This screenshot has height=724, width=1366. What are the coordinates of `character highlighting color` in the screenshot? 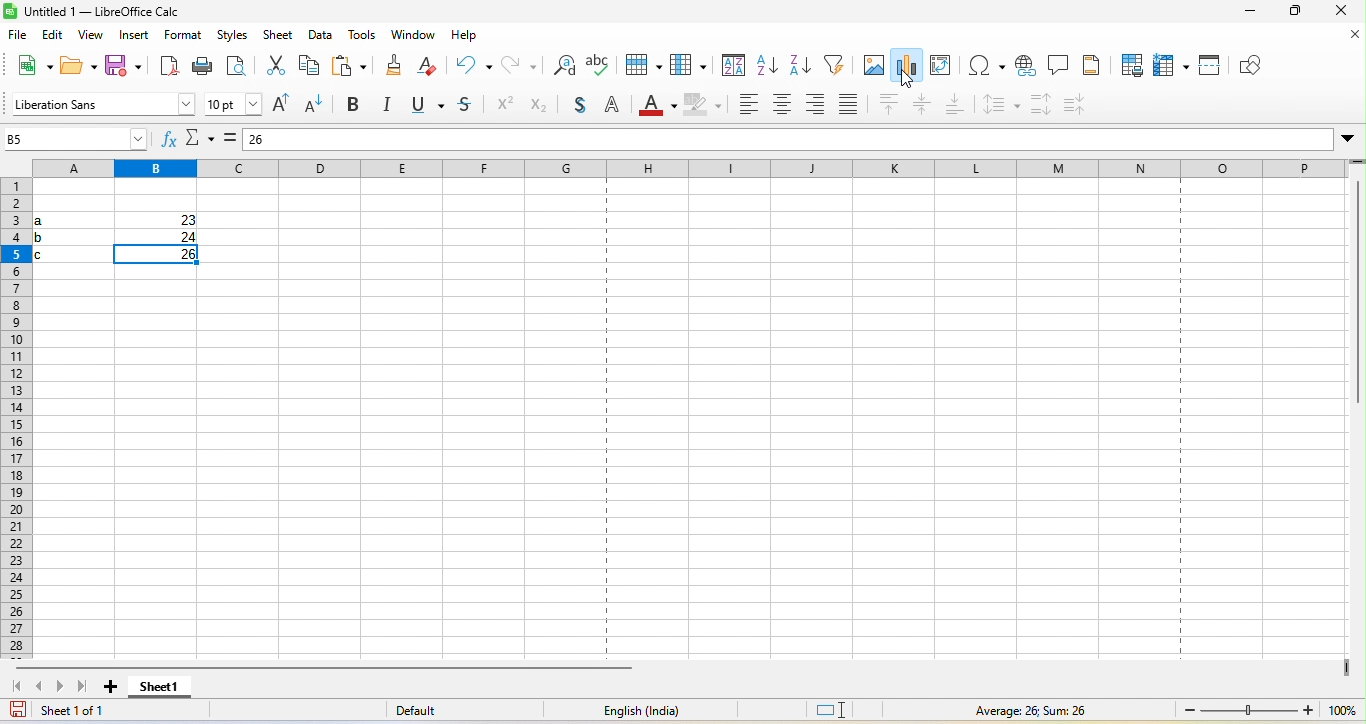 It's located at (701, 102).